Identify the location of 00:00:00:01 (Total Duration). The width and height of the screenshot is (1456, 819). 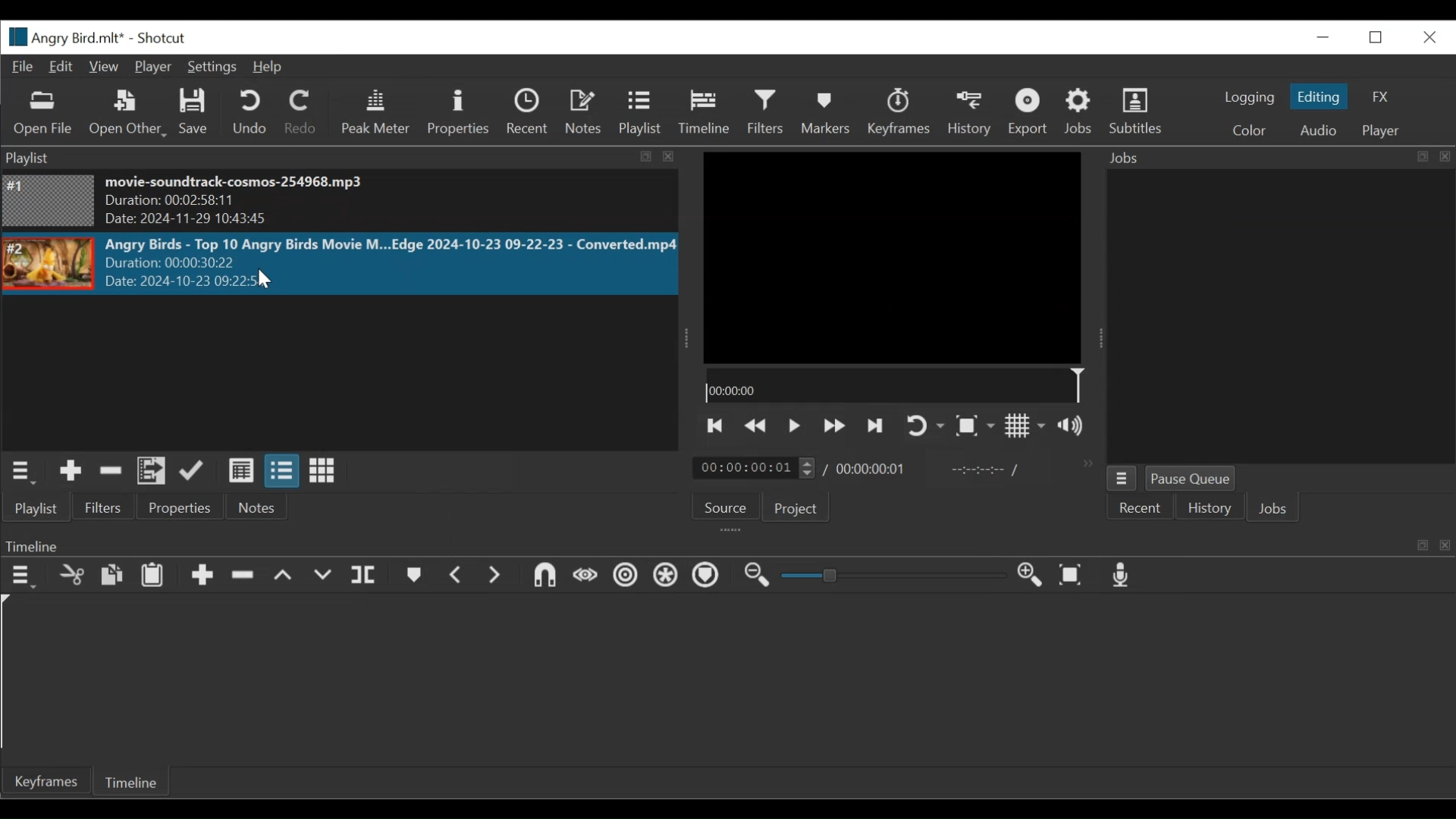
(868, 469).